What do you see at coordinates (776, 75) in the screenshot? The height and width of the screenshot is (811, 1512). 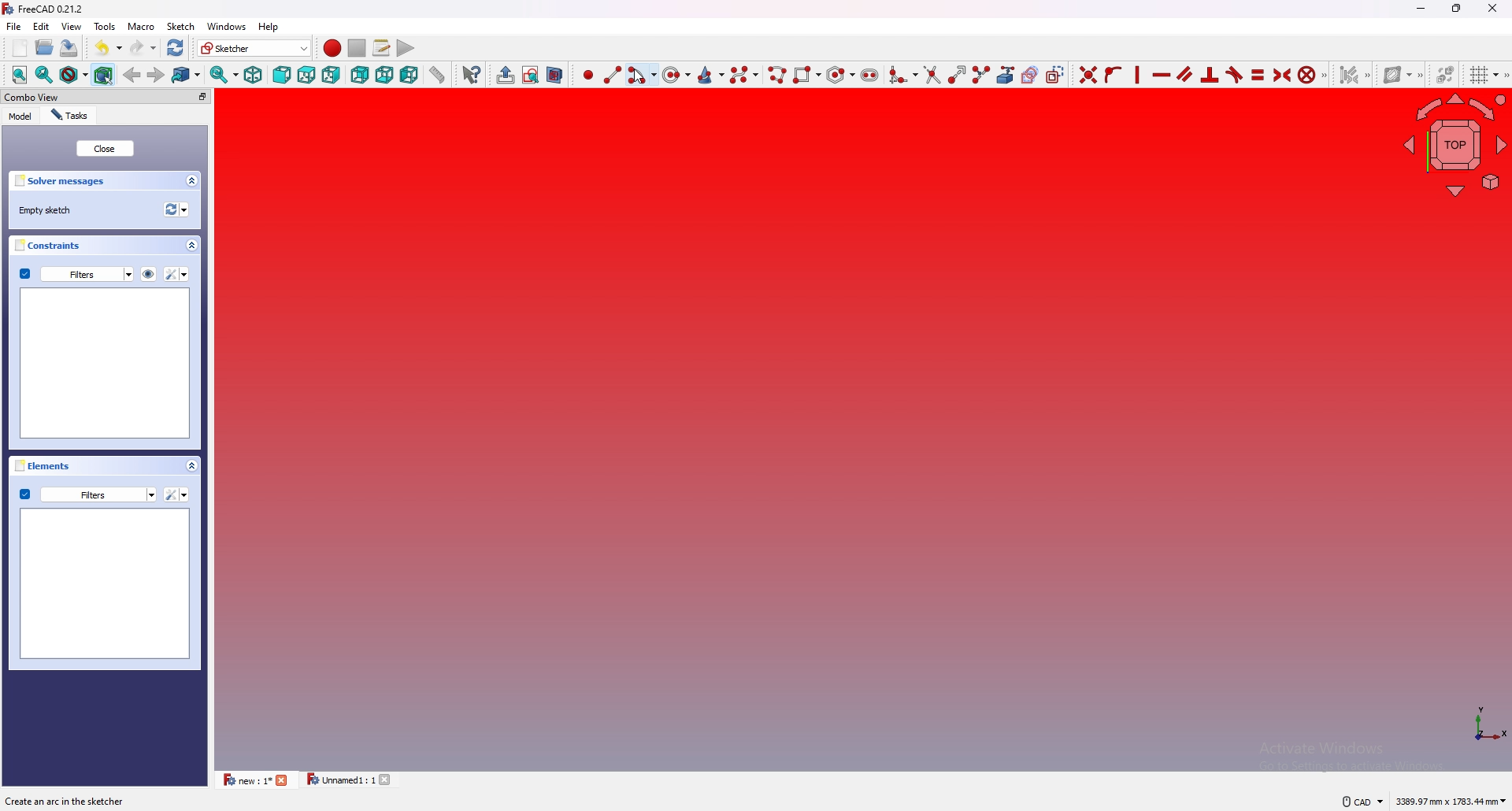 I see `create poly line` at bounding box center [776, 75].